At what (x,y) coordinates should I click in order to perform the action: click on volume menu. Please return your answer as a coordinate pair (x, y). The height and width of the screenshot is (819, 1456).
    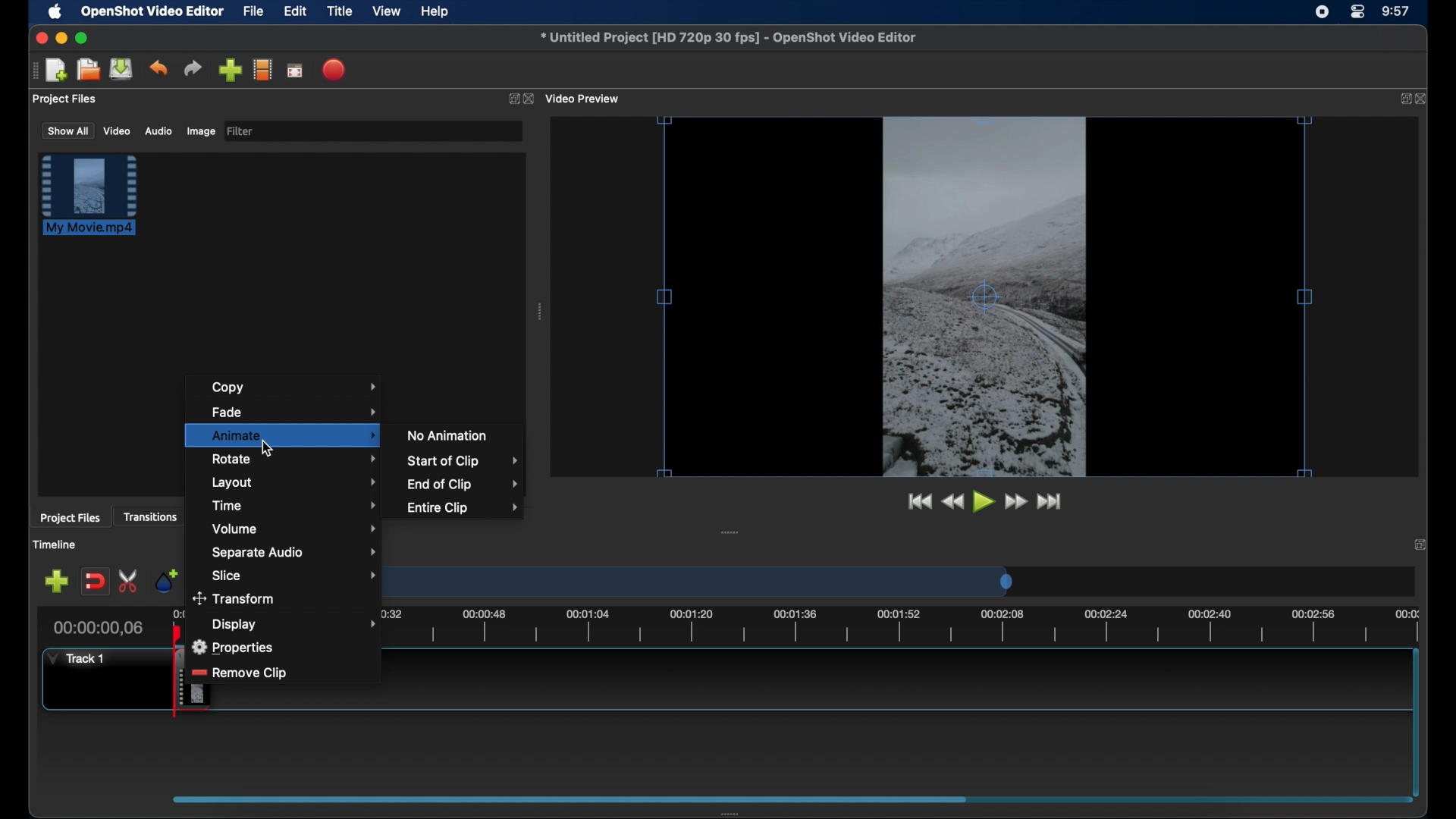
    Looking at the image, I should click on (294, 529).